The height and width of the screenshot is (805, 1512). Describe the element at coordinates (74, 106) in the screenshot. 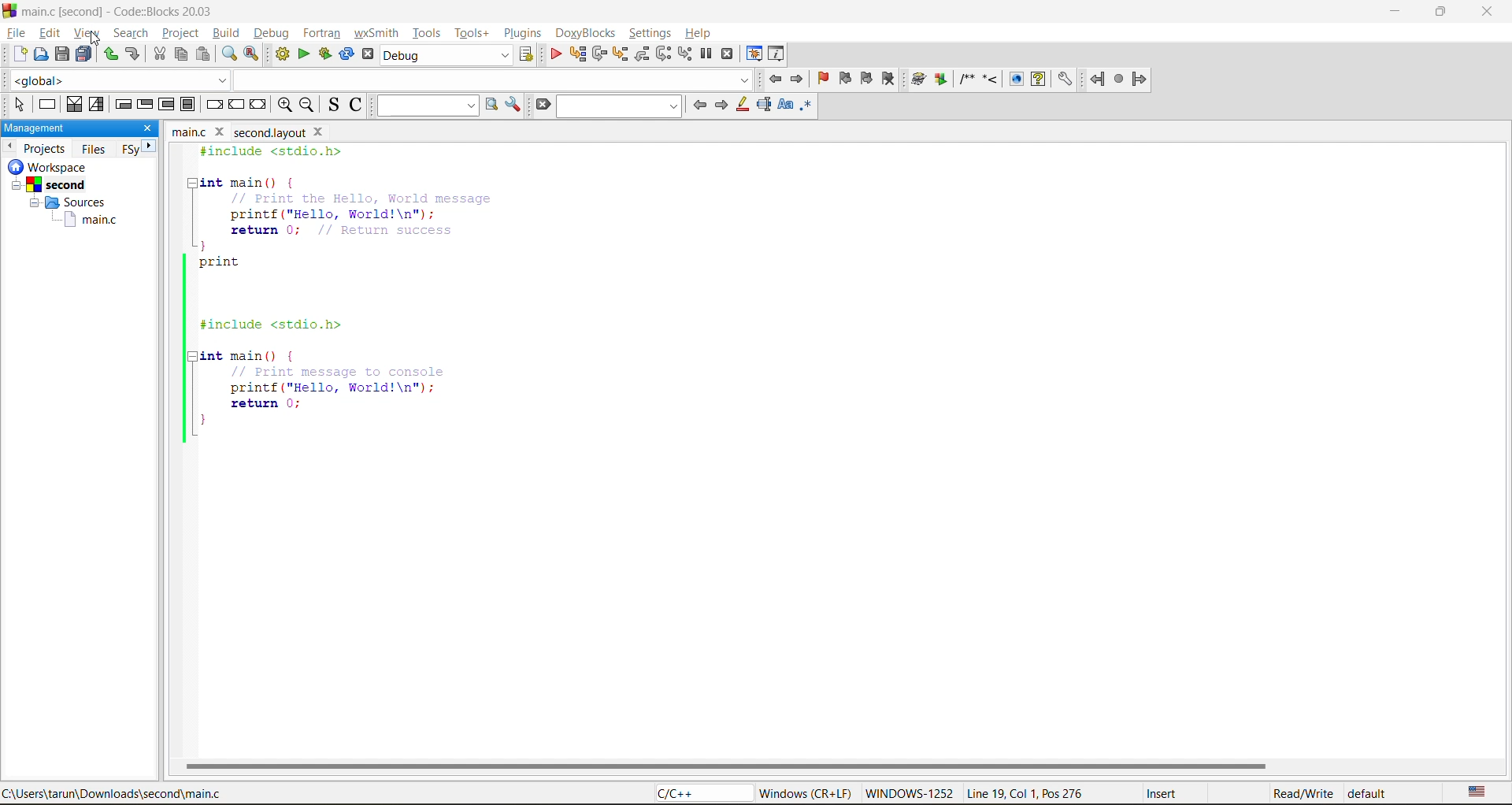

I see `decision` at that location.